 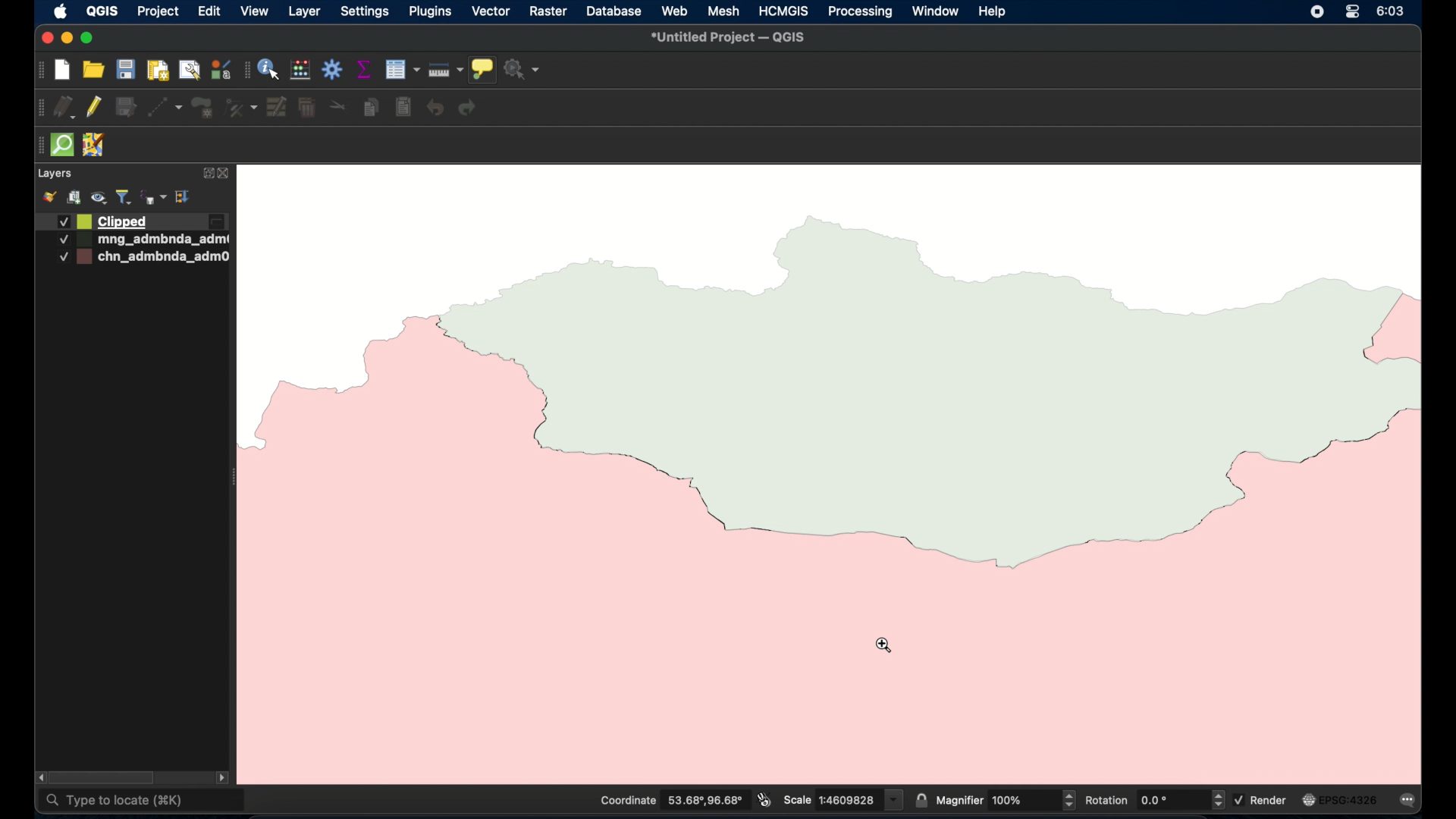 I want to click on edited layer icon, so click(x=216, y=221).